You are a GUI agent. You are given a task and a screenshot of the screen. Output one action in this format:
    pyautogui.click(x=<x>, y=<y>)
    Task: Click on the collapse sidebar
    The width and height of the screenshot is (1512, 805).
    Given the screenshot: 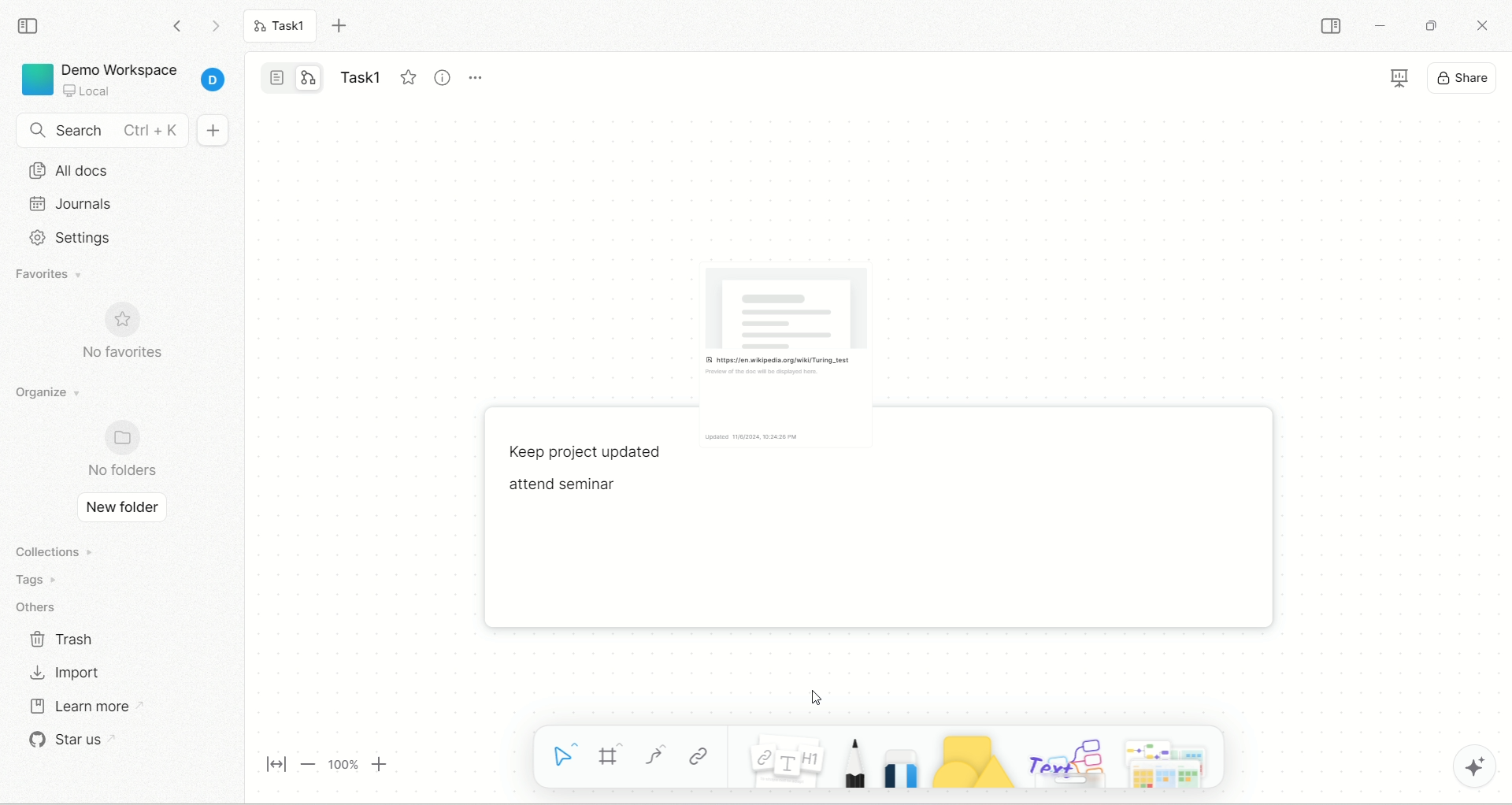 What is the action you would take?
    pyautogui.click(x=31, y=26)
    